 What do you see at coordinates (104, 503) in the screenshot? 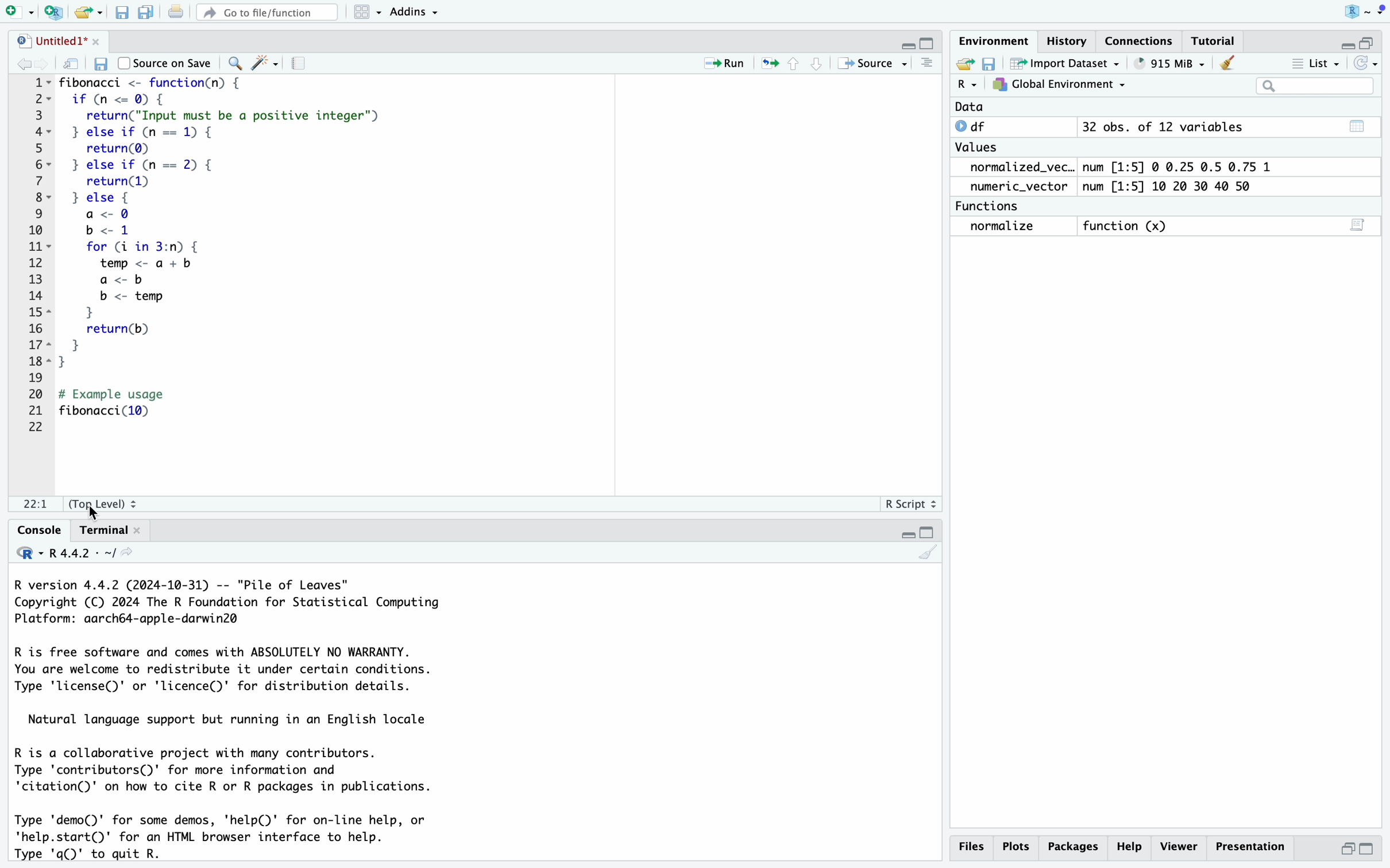
I see `(Top level)` at bounding box center [104, 503].